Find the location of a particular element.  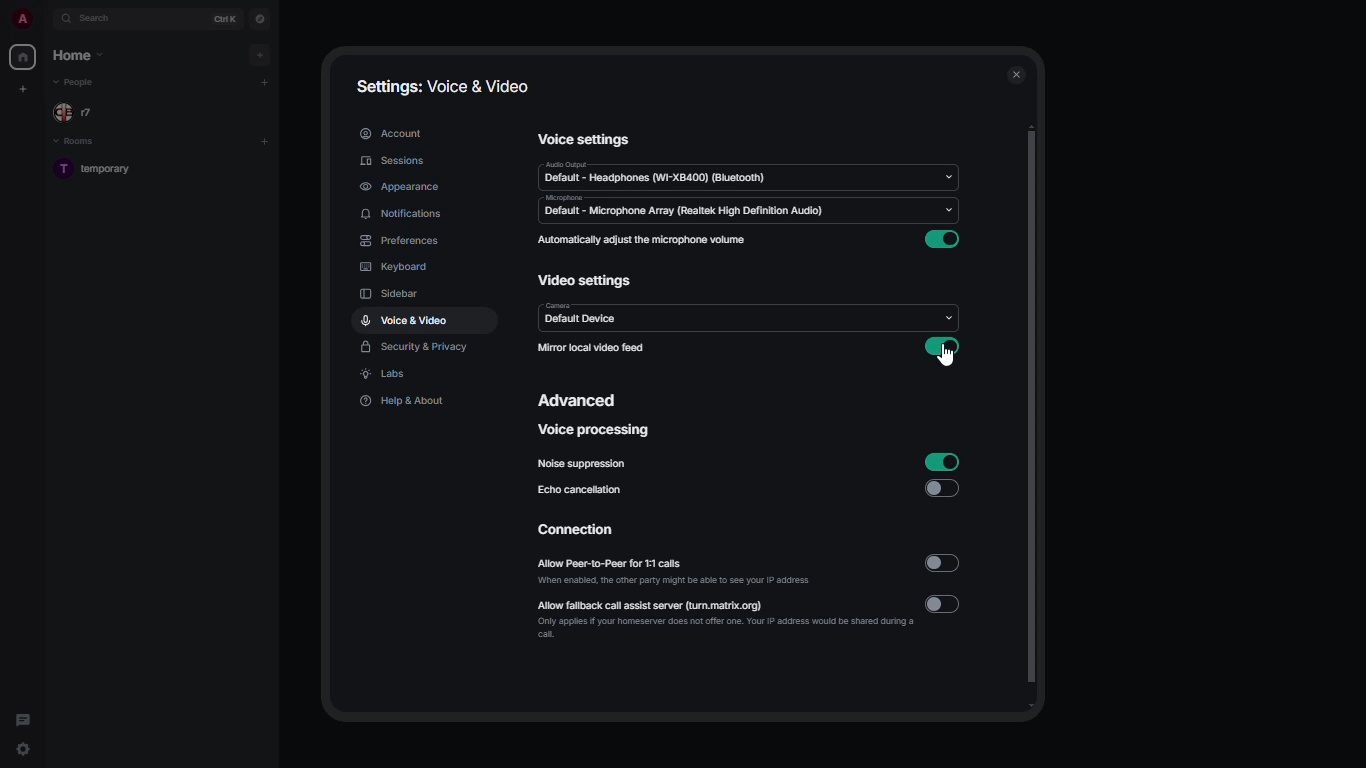

search is located at coordinates (104, 19).